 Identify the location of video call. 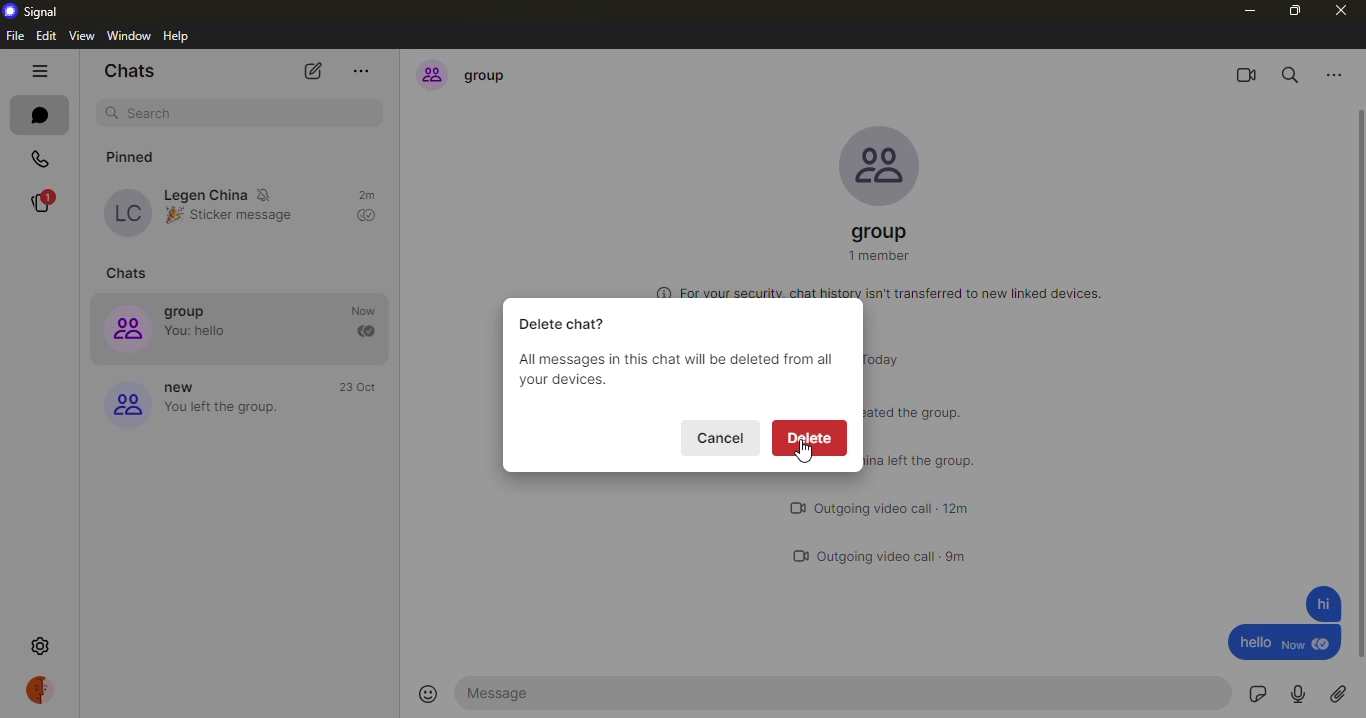
(1245, 75).